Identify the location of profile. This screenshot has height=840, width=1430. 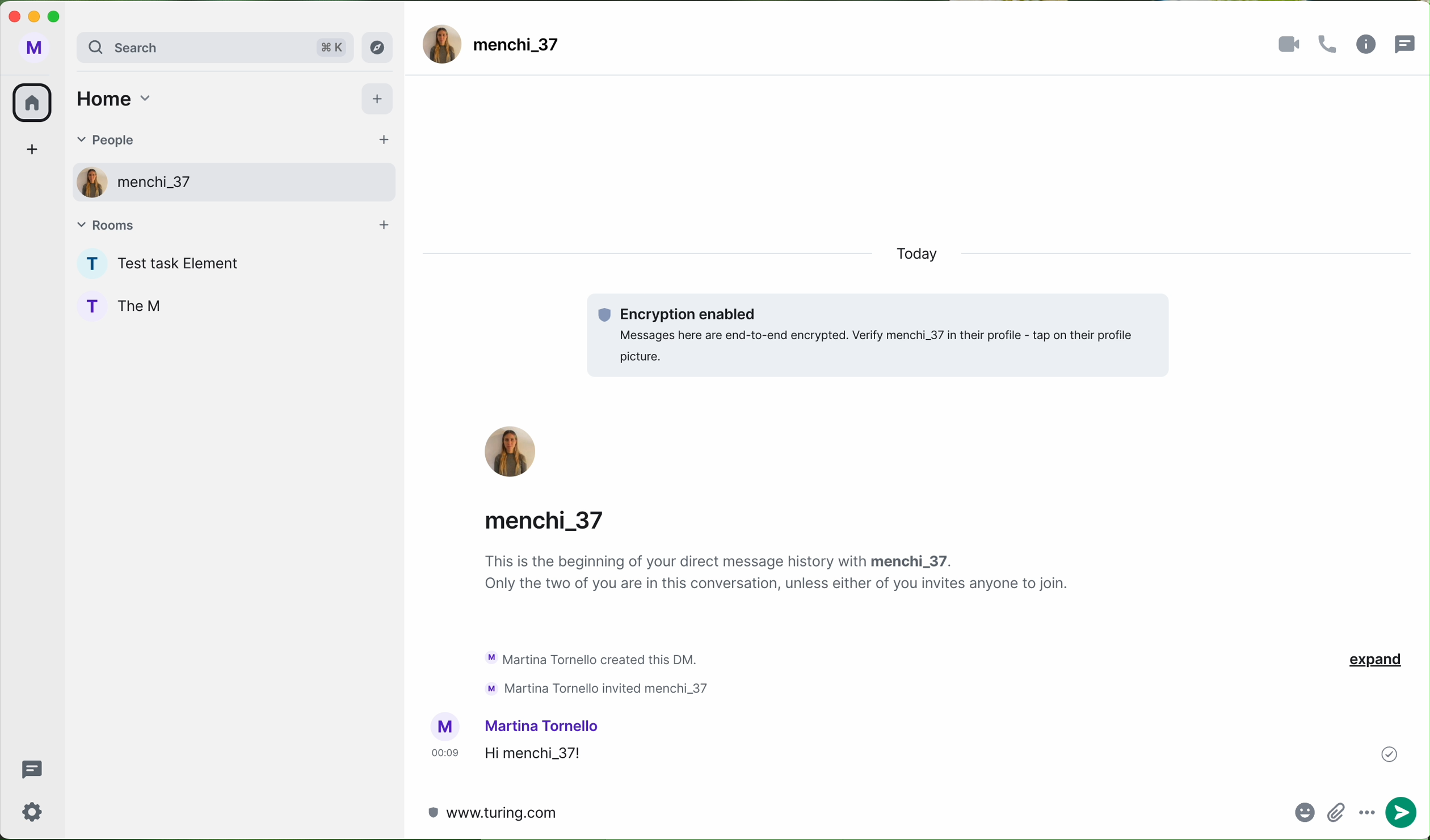
(85, 181).